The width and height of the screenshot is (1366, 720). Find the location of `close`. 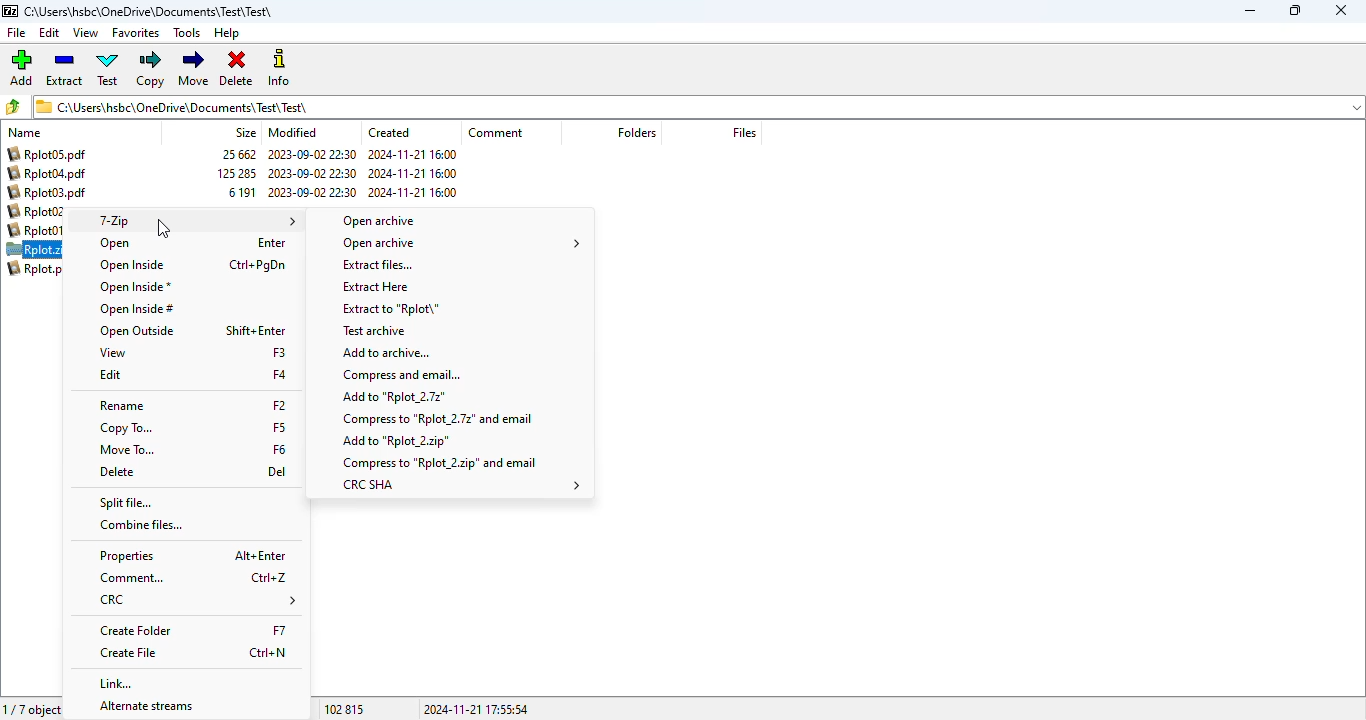

close is located at coordinates (1340, 10).